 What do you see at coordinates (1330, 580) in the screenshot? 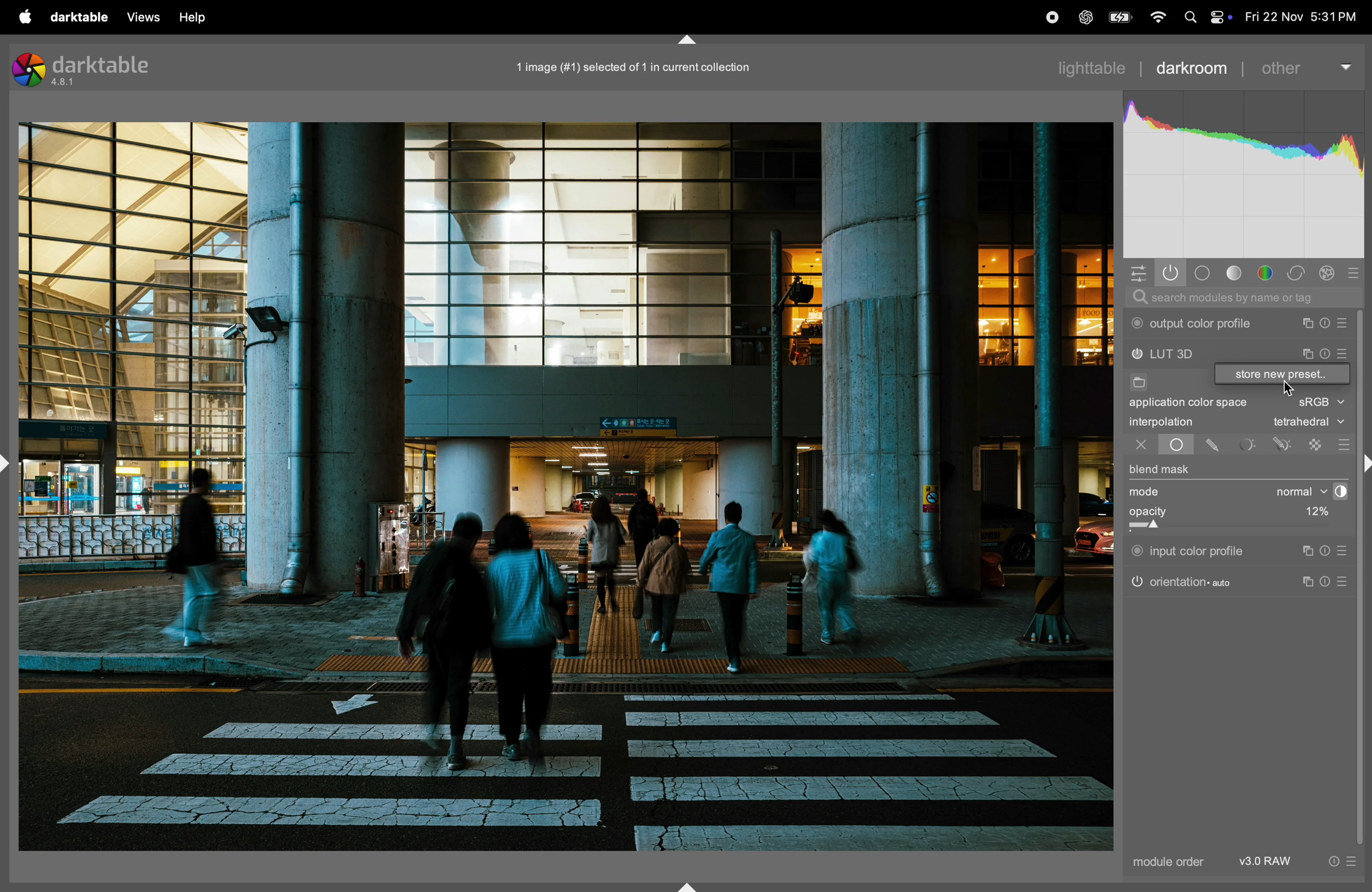
I see `reset parameters` at bounding box center [1330, 580].